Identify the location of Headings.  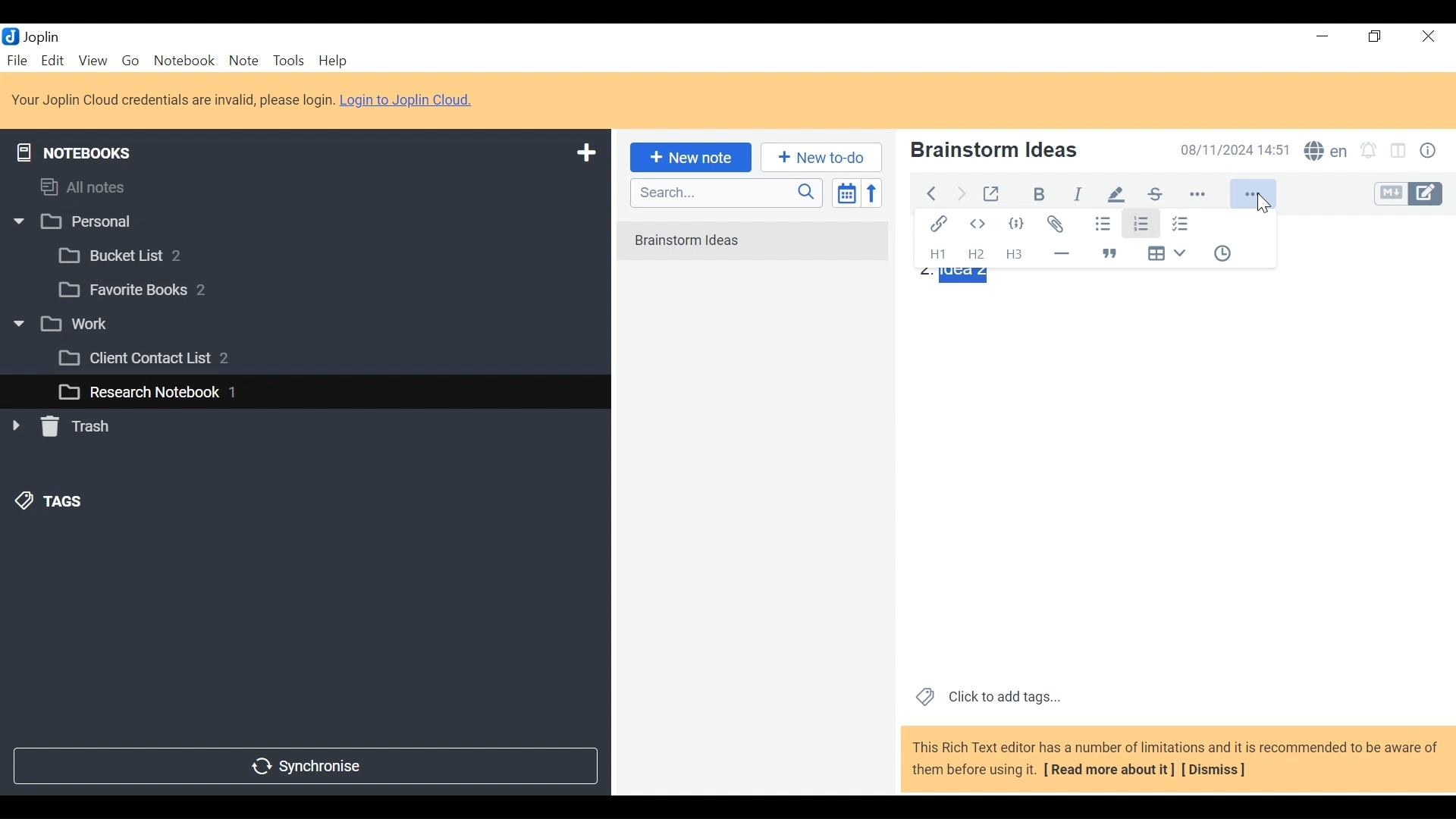
(981, 255).